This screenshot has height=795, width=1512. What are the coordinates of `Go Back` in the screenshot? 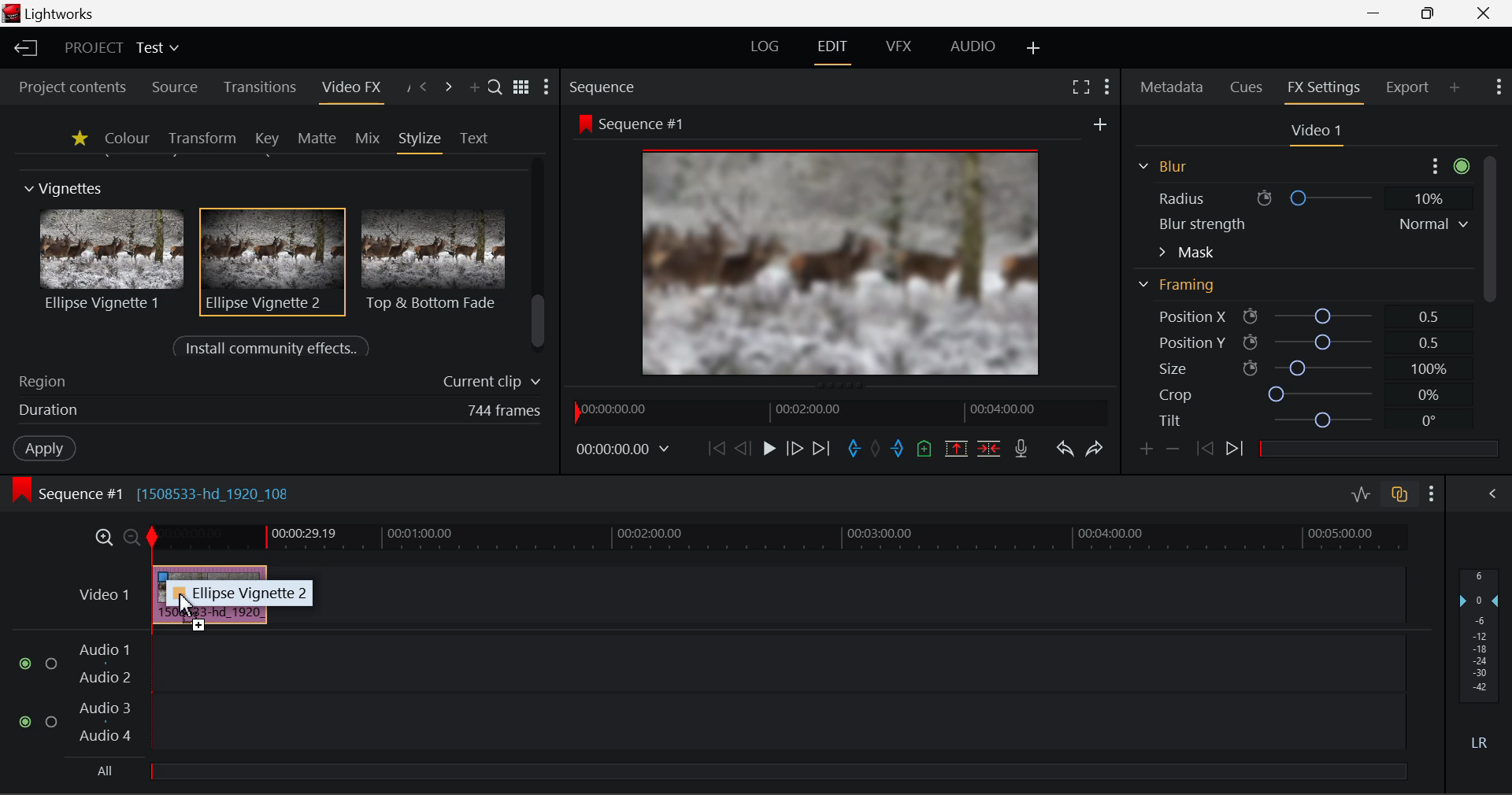 It's located at (743, 449).